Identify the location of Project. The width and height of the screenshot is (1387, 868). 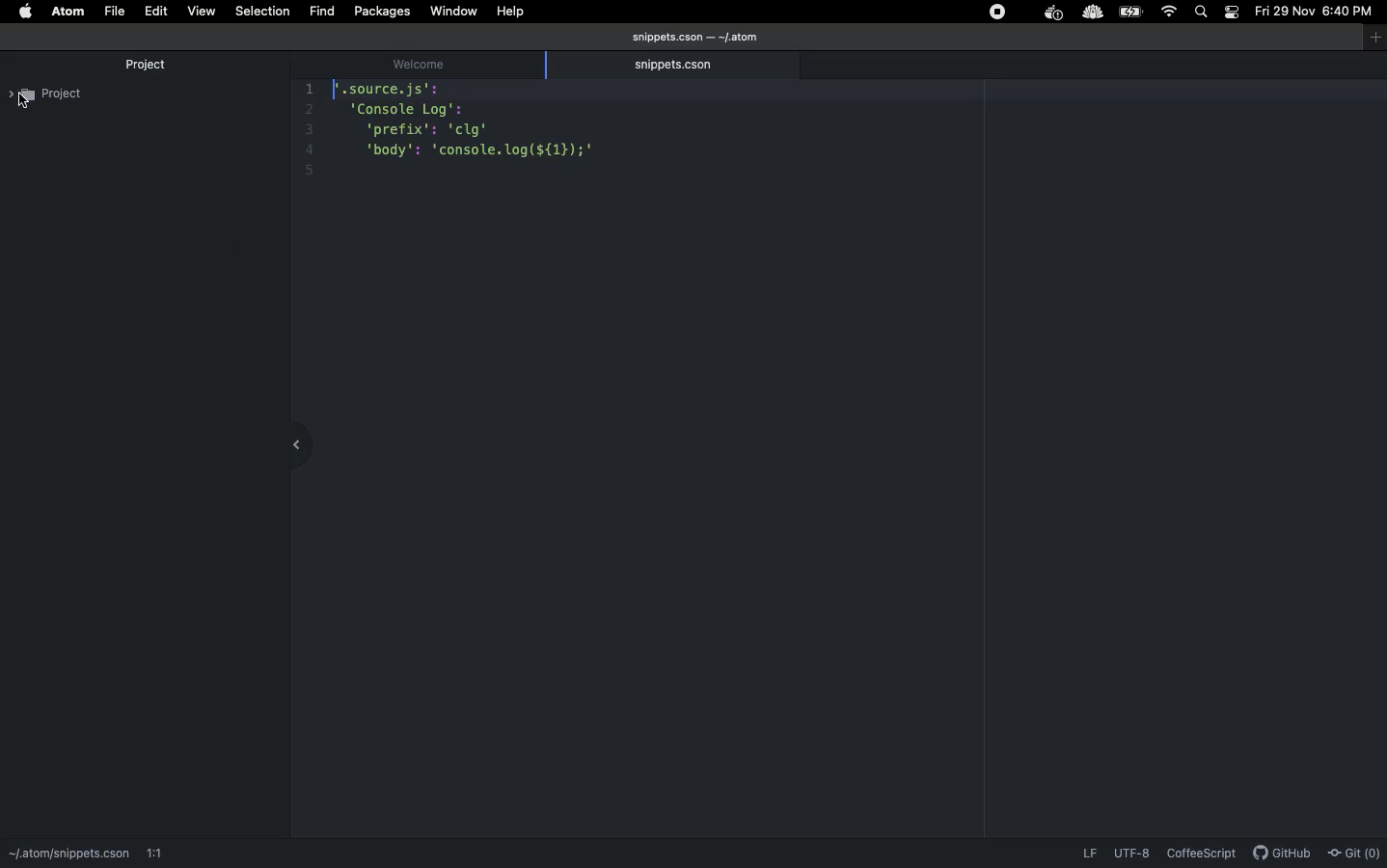
(146, 65).